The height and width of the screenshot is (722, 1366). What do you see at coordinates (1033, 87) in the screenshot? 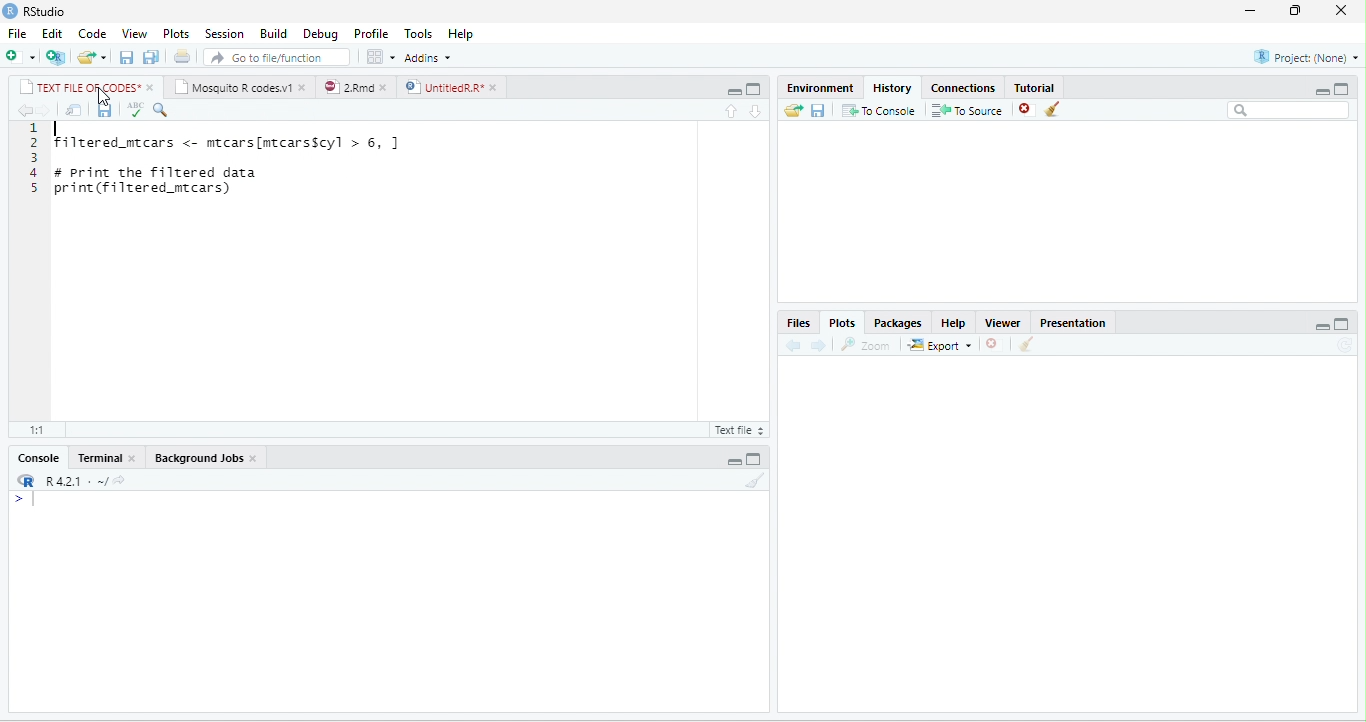
I see `Tutorial` at bounding box center [1033, 87].